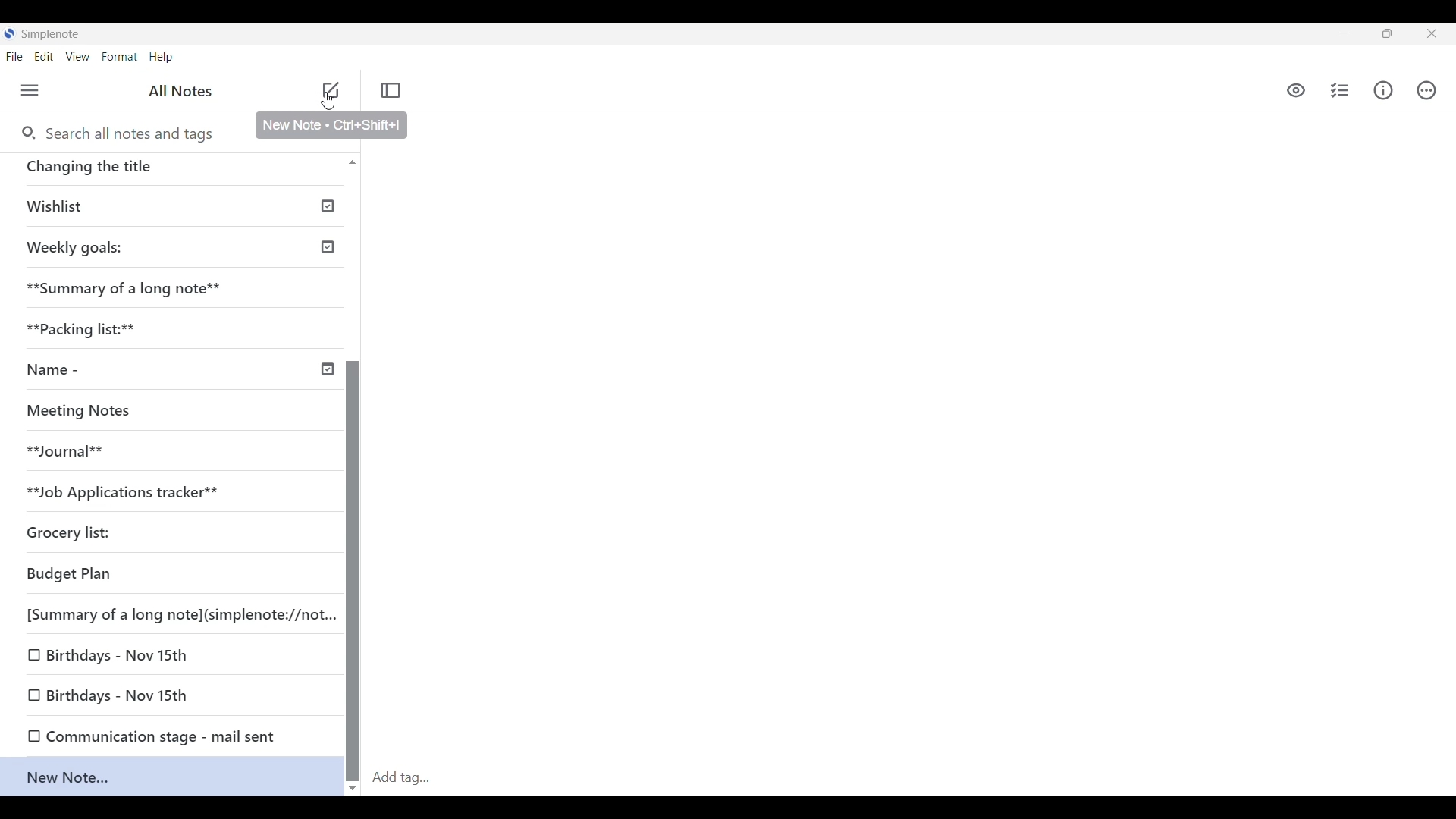 The height and width of the screenshot is (819, 1456). I want to click on Name, so click(49, 369).